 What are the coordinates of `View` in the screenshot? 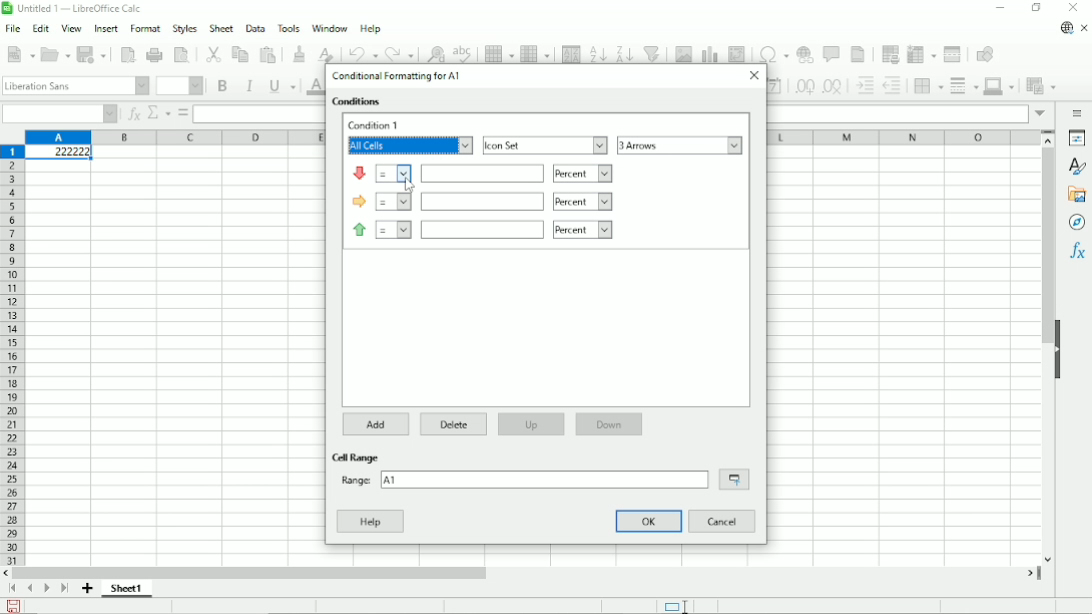 It's located at (71, 28).